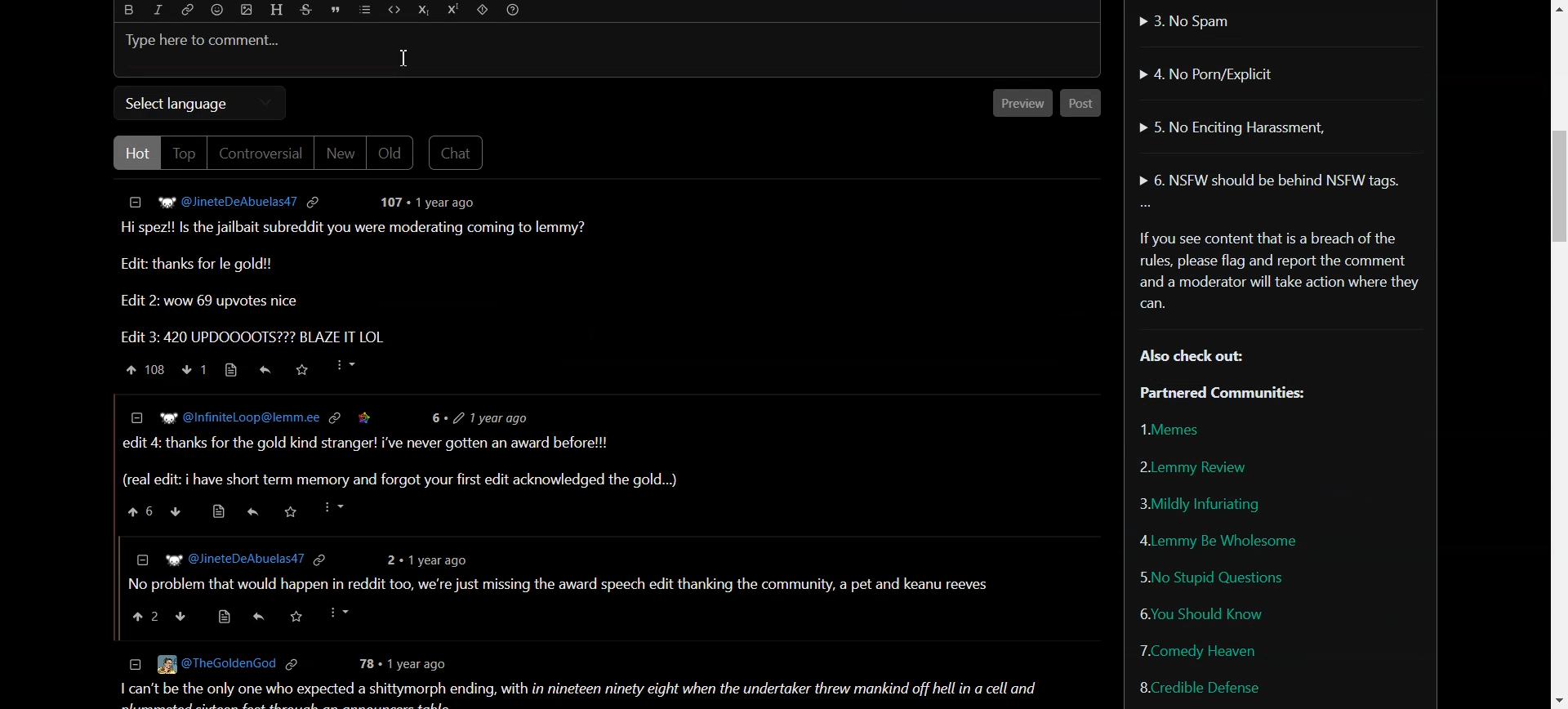 The height and width of the screenshot is (709, 1568). What do you see at coordinates (344, 230) in the screenshot?
I see `Text` at bounding box center [344, 230].